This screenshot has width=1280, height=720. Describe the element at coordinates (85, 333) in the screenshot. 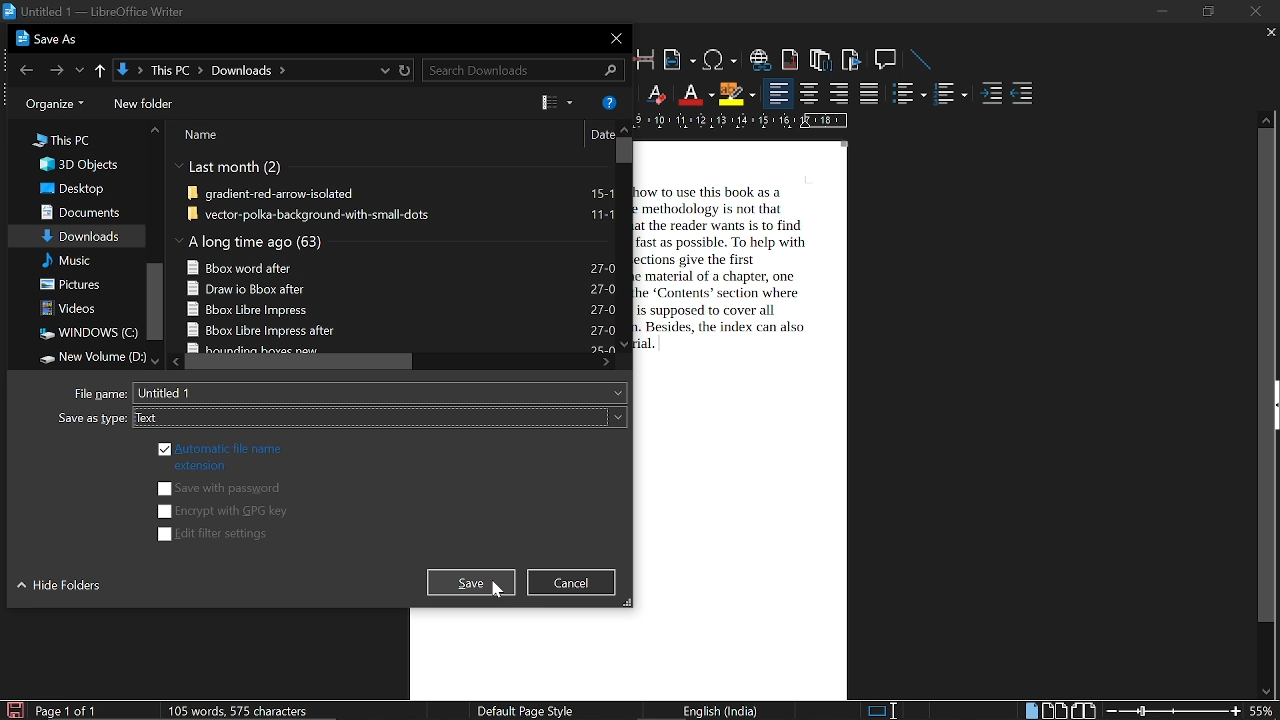

I see `WINDOWS (C)` at that location.